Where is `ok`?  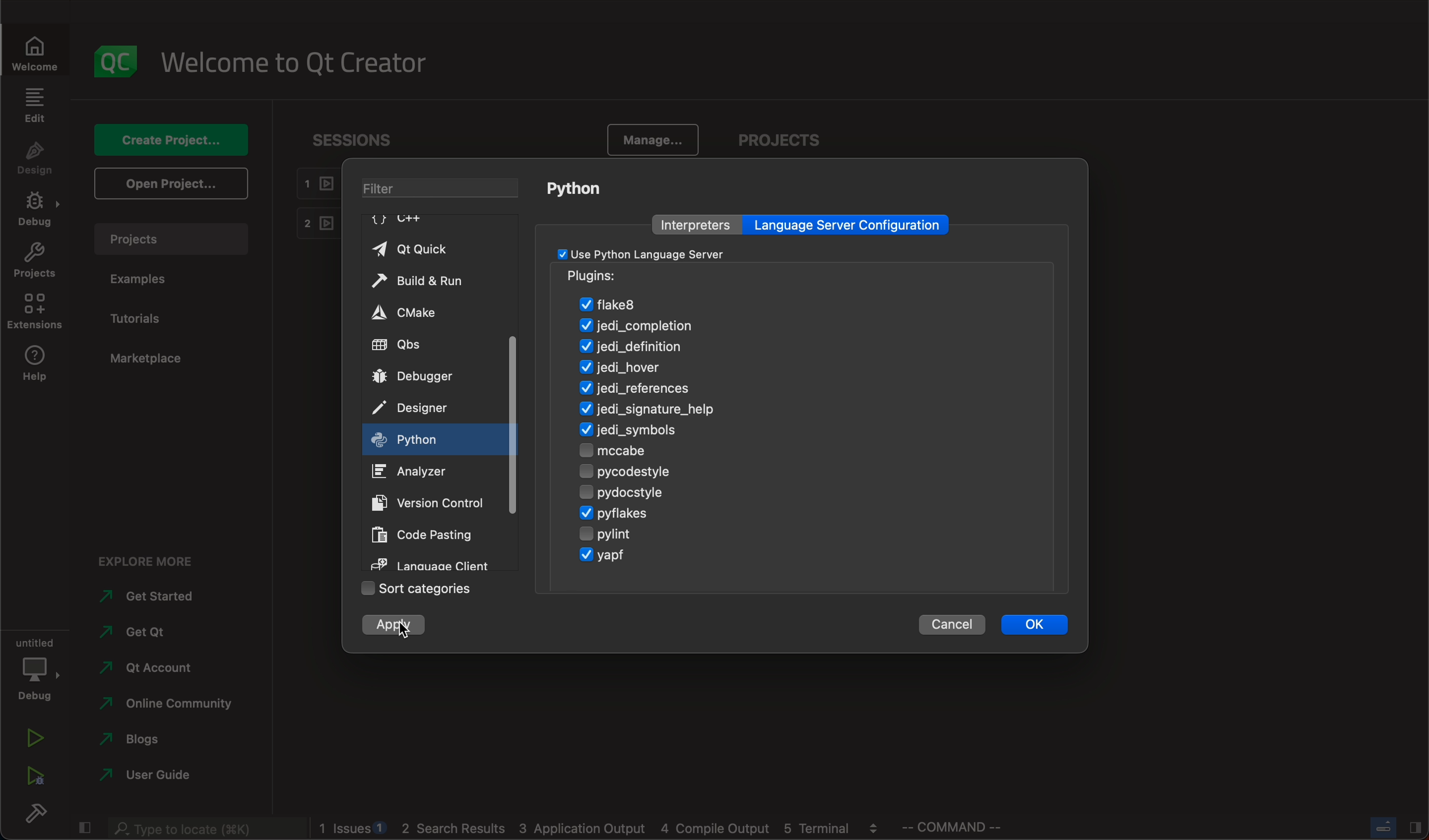 ok is located at coordinates (1037, 622).